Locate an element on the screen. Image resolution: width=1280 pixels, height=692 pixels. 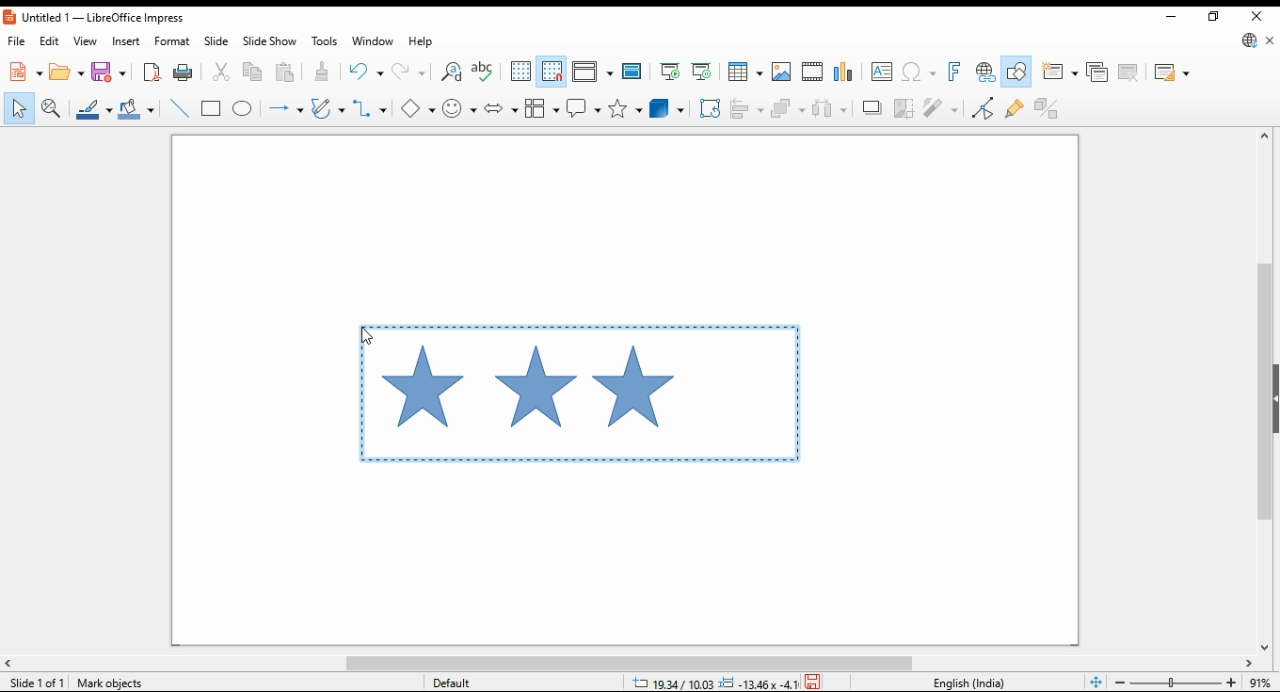
connectors is located at coordinates (369, 105).